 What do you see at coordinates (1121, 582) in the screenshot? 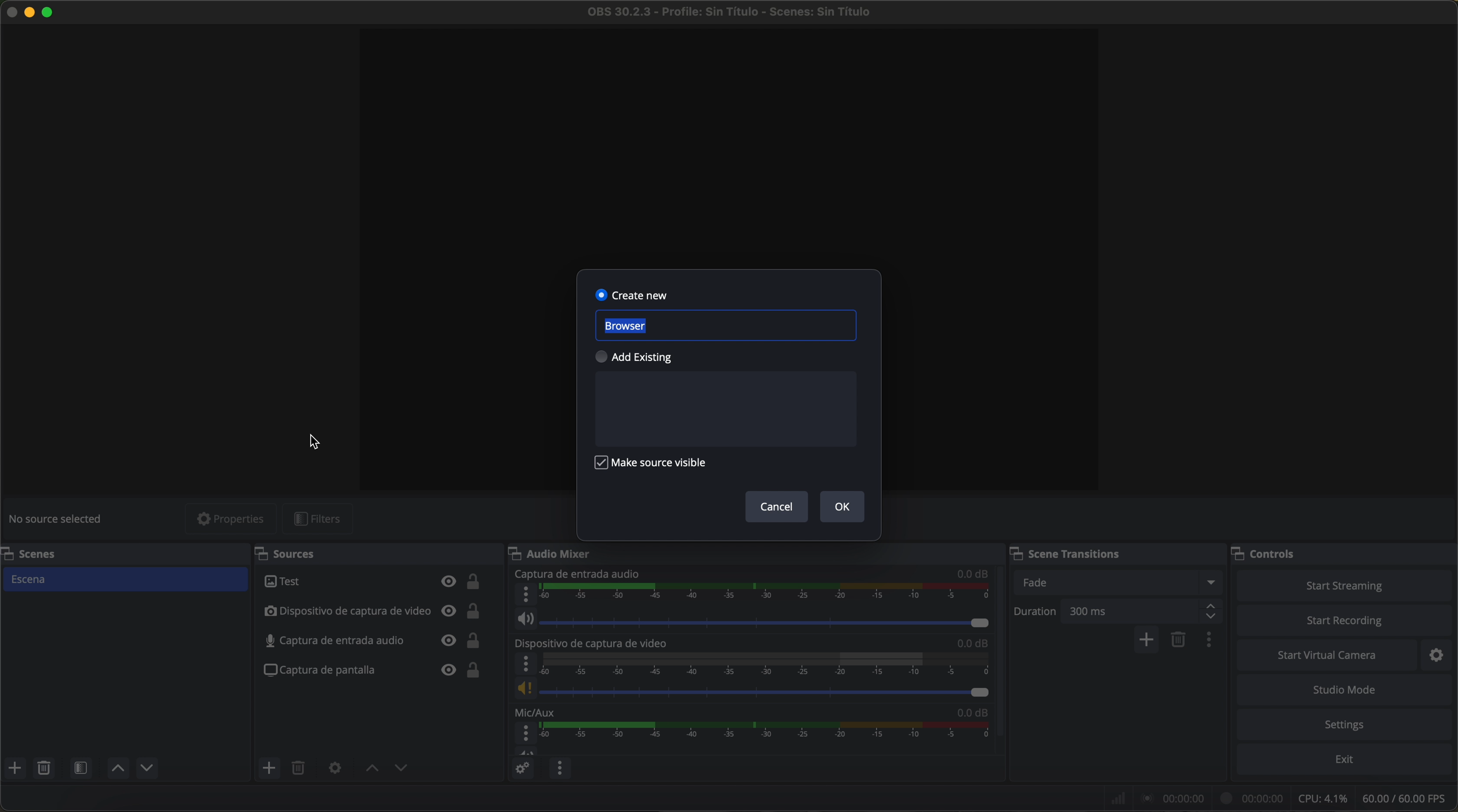
I see `fade` at bounding box center [1121, 582].